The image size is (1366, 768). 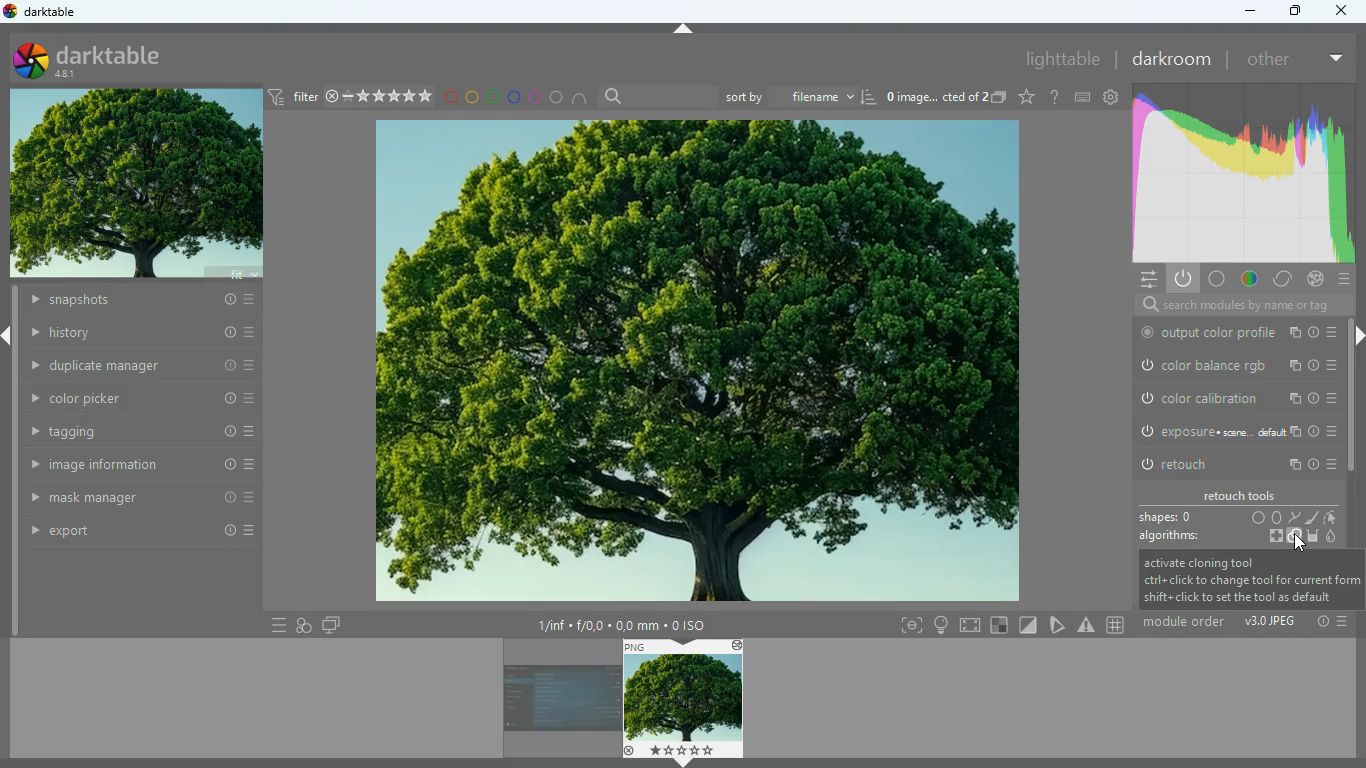 What do you see at coordinates (1082, 99) in the screenshot?
I see `keyboard` at bounding box center [1082, 99].